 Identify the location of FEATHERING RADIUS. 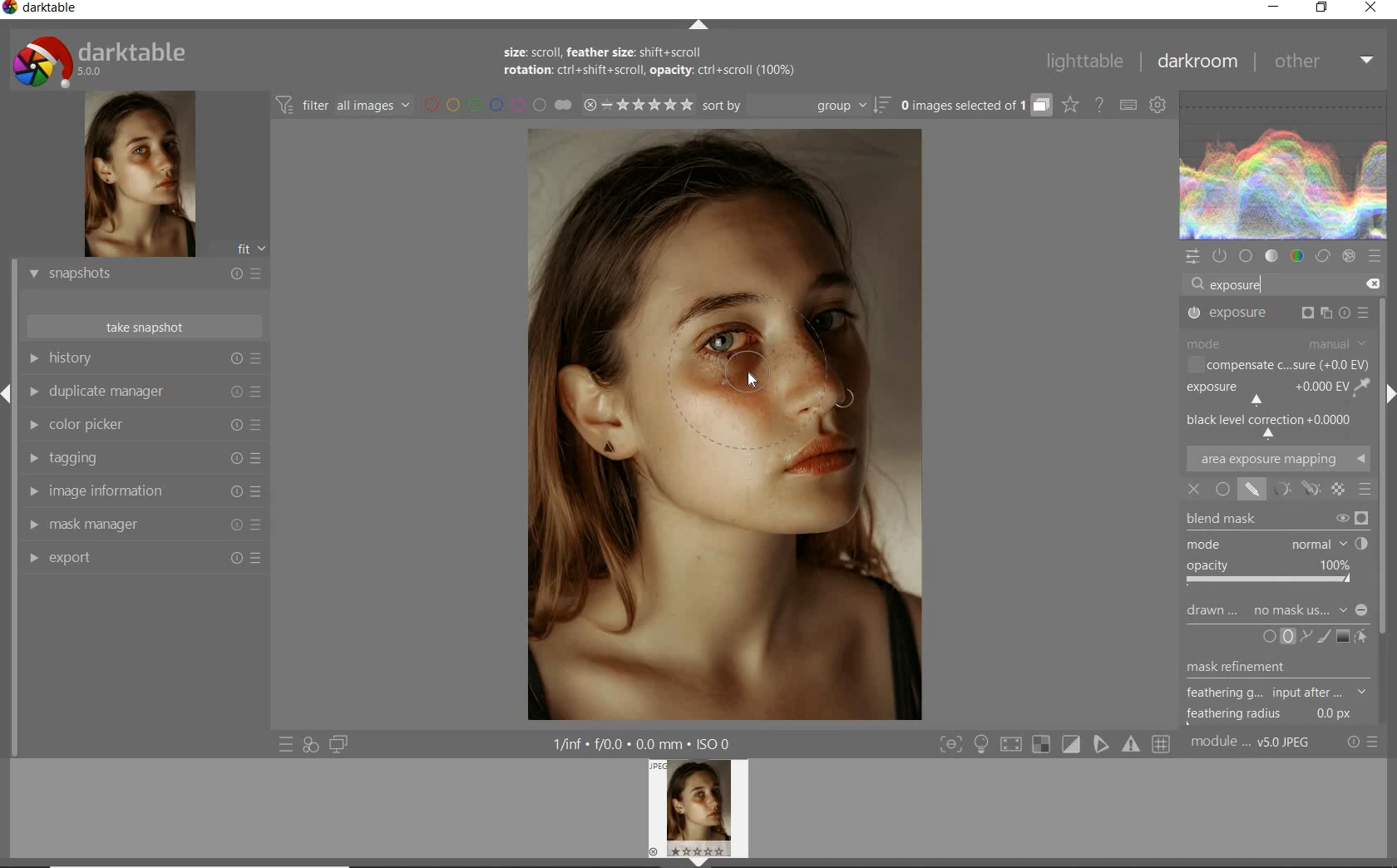
(1275, 714).